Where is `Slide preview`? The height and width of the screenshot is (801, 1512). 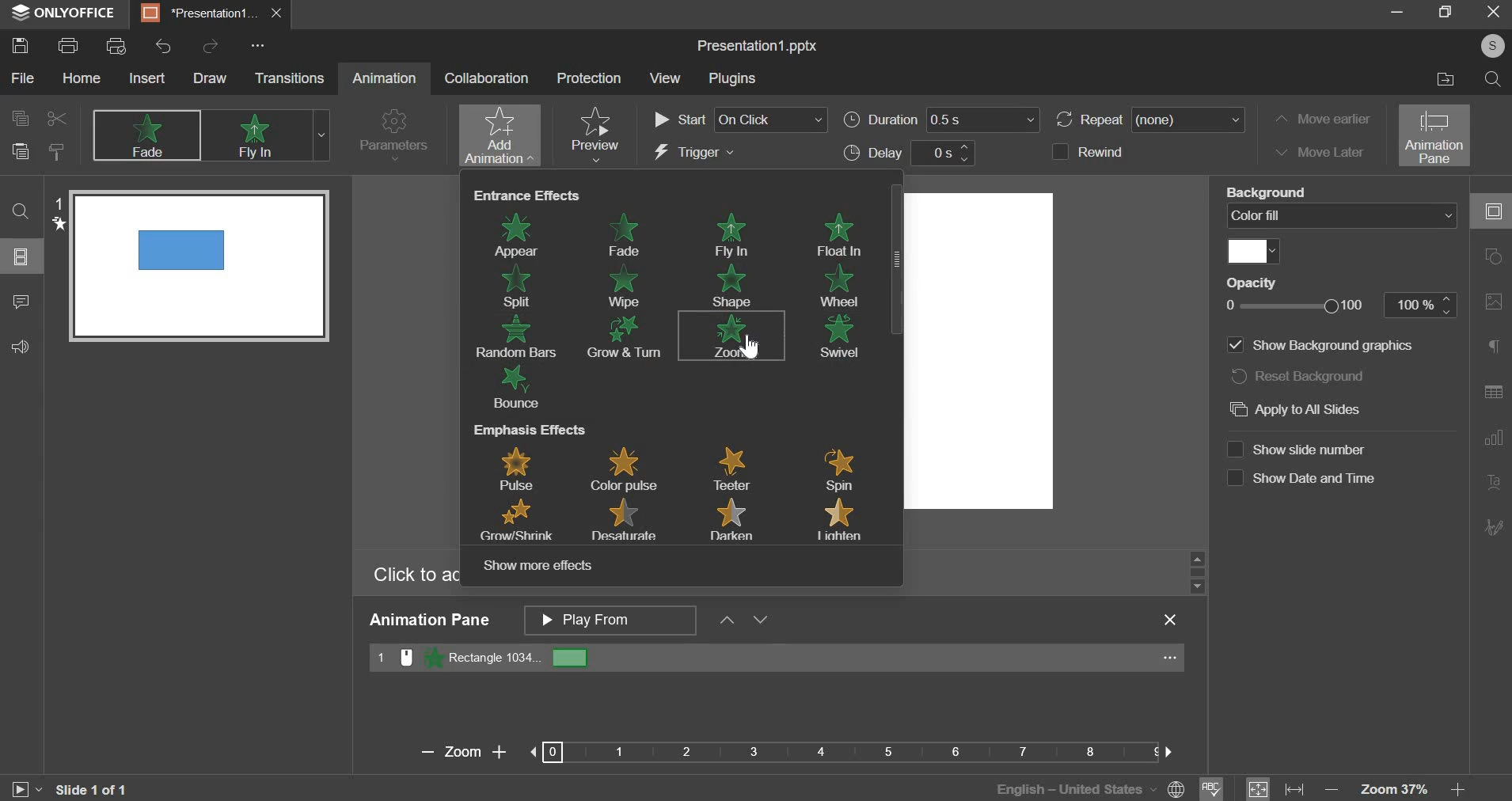 Slide preview is located at coordinates (192, 268).